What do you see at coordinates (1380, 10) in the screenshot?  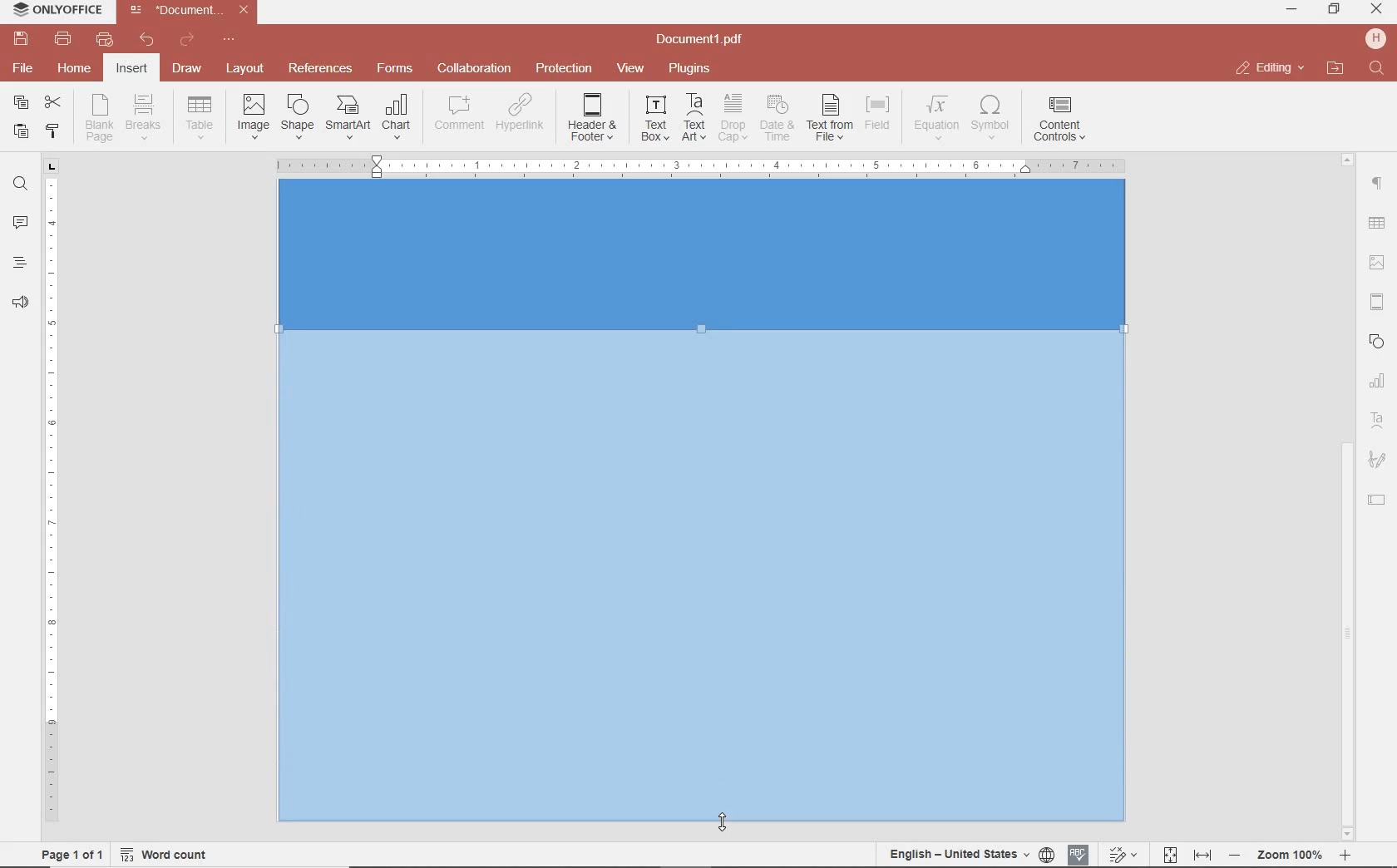 I see `minimize ,restore ,close` at bounding box center [1380, 10].